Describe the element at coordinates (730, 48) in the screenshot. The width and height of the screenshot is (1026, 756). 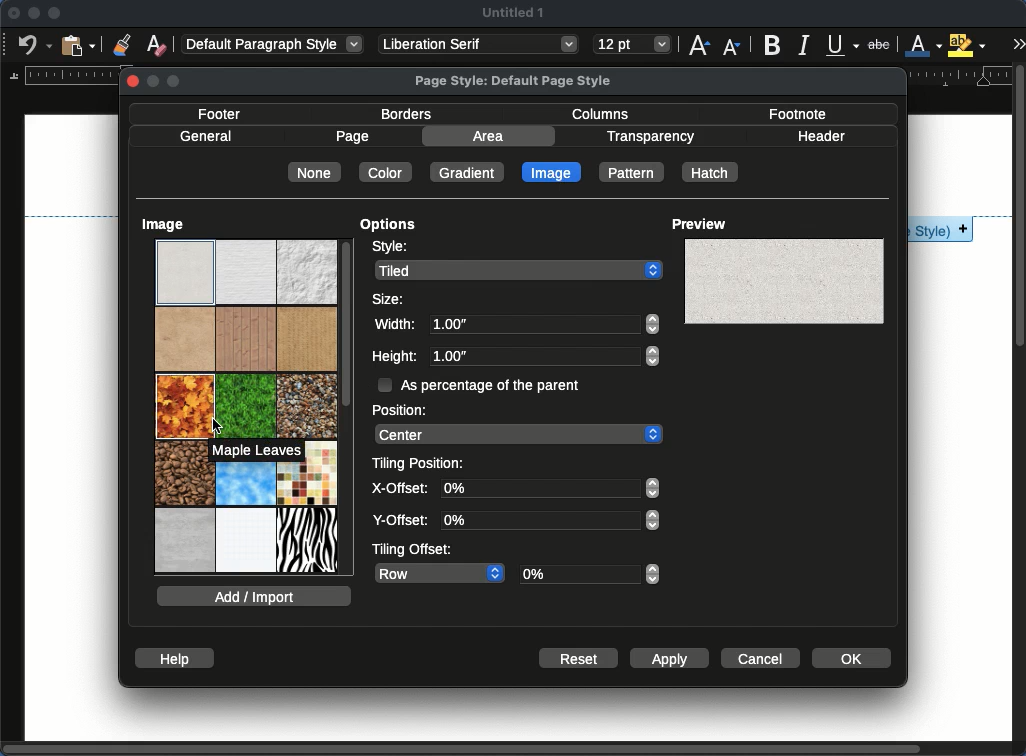
I see `decrease size` at that location.